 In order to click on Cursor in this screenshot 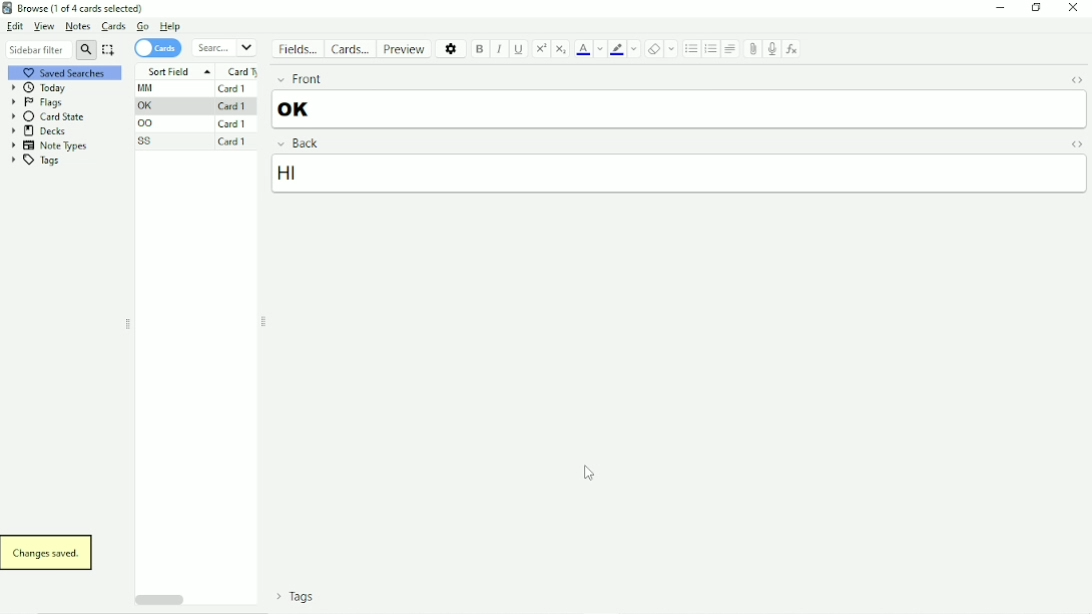, I will do `click(594, 475)`.